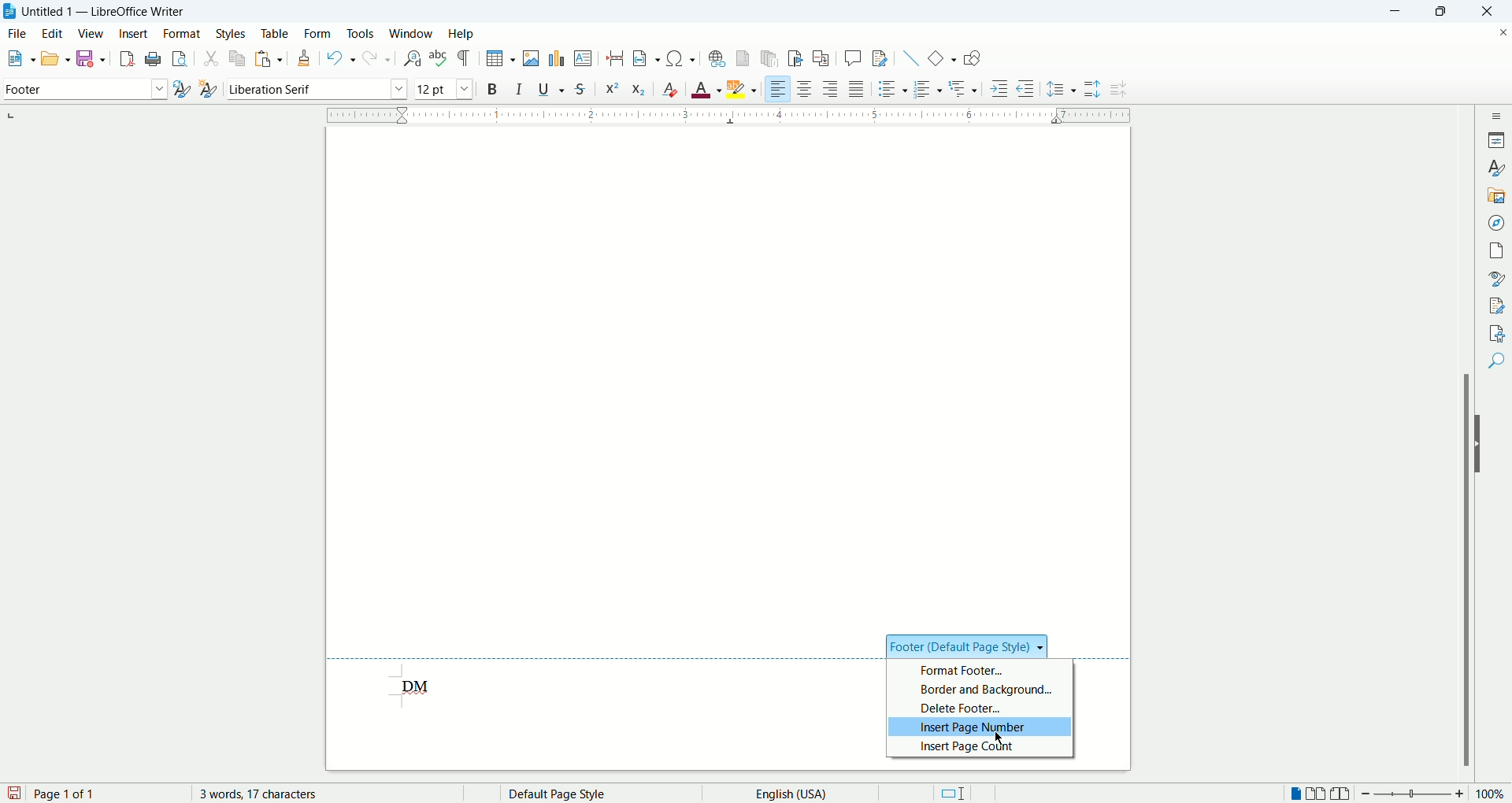 This screenshot has width=1512, height=803. I want to click on edit, so click(55, 33).